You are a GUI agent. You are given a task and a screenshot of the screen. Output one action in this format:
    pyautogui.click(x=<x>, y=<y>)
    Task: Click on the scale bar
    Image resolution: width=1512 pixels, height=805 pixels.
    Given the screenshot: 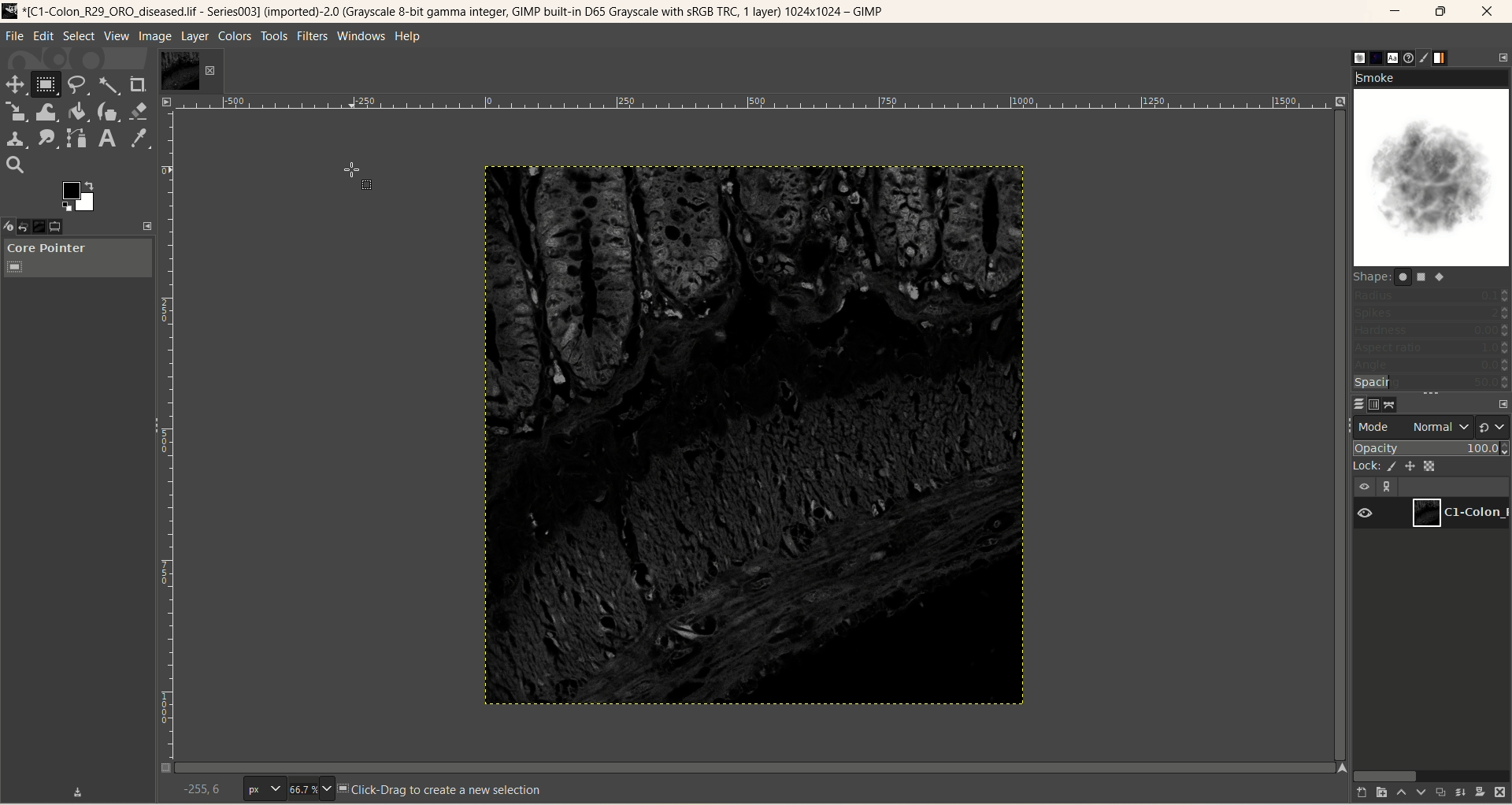 What is the action you would take?
    pyautogui.click(x=758, y=108)
    